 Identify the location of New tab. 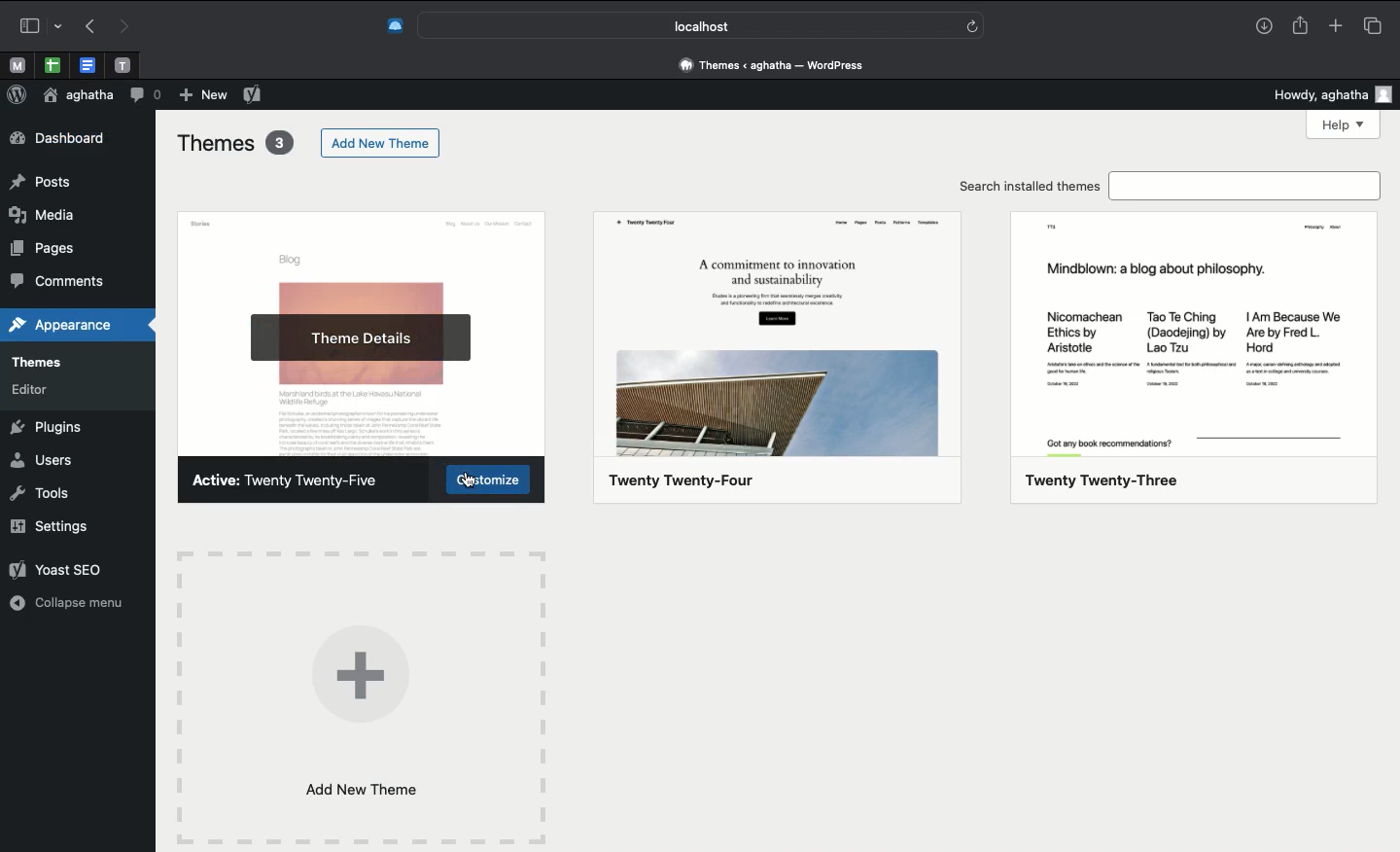
(1336, 27).